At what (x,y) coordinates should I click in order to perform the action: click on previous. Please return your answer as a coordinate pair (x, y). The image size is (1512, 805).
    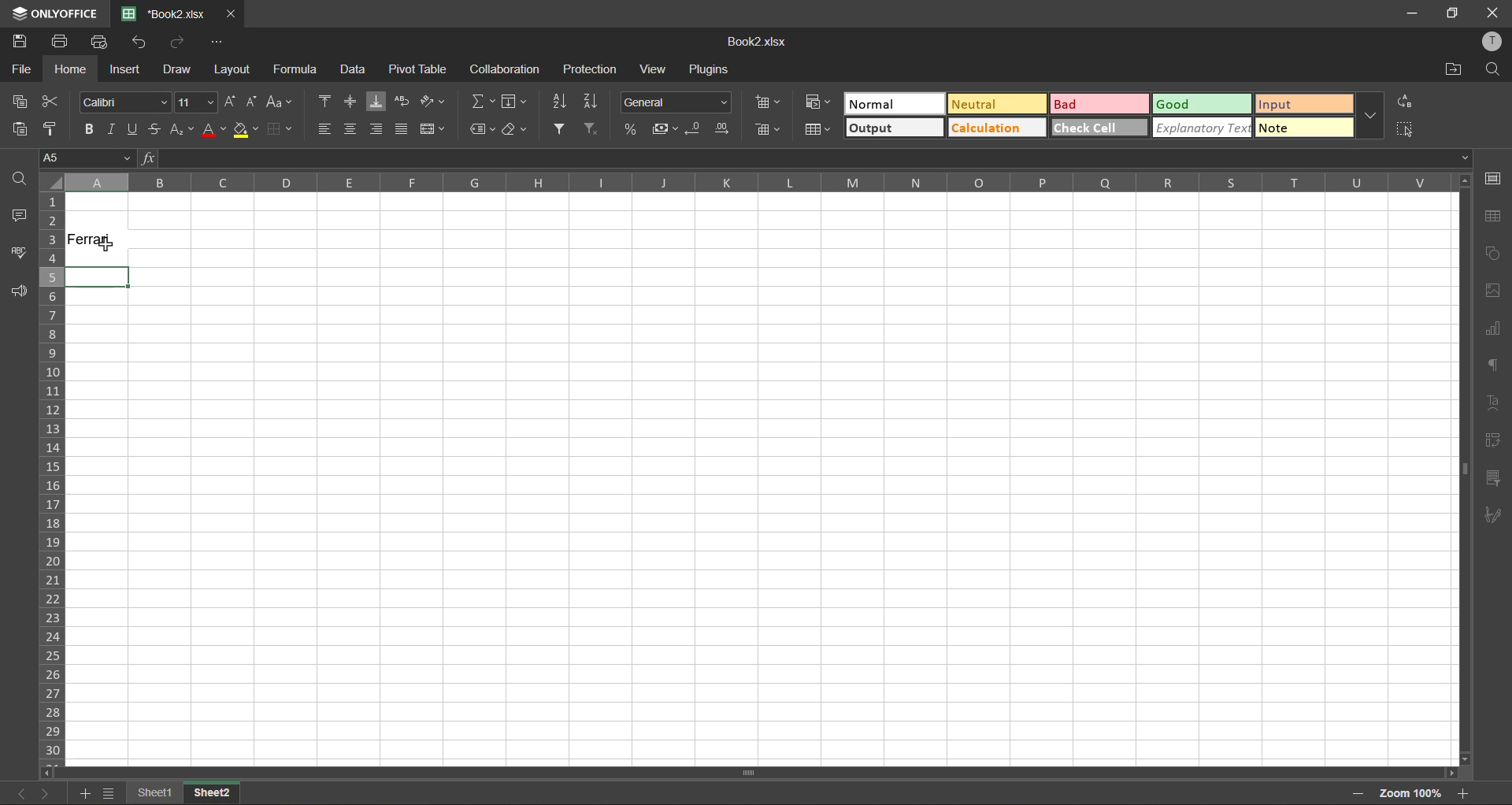
    Looking at the image, I should click on (19, 792).